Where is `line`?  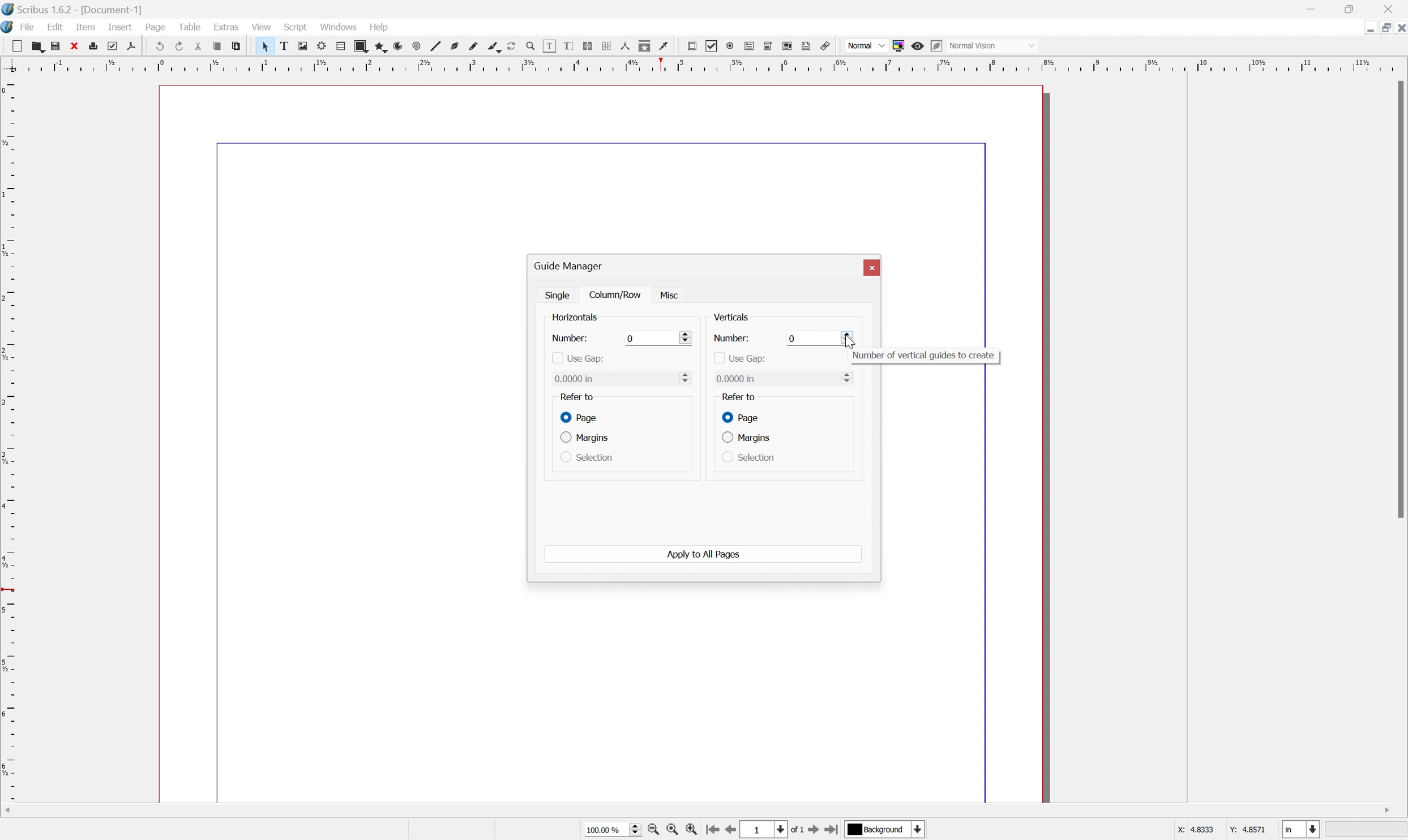
line is located at coordinates (436, 46).